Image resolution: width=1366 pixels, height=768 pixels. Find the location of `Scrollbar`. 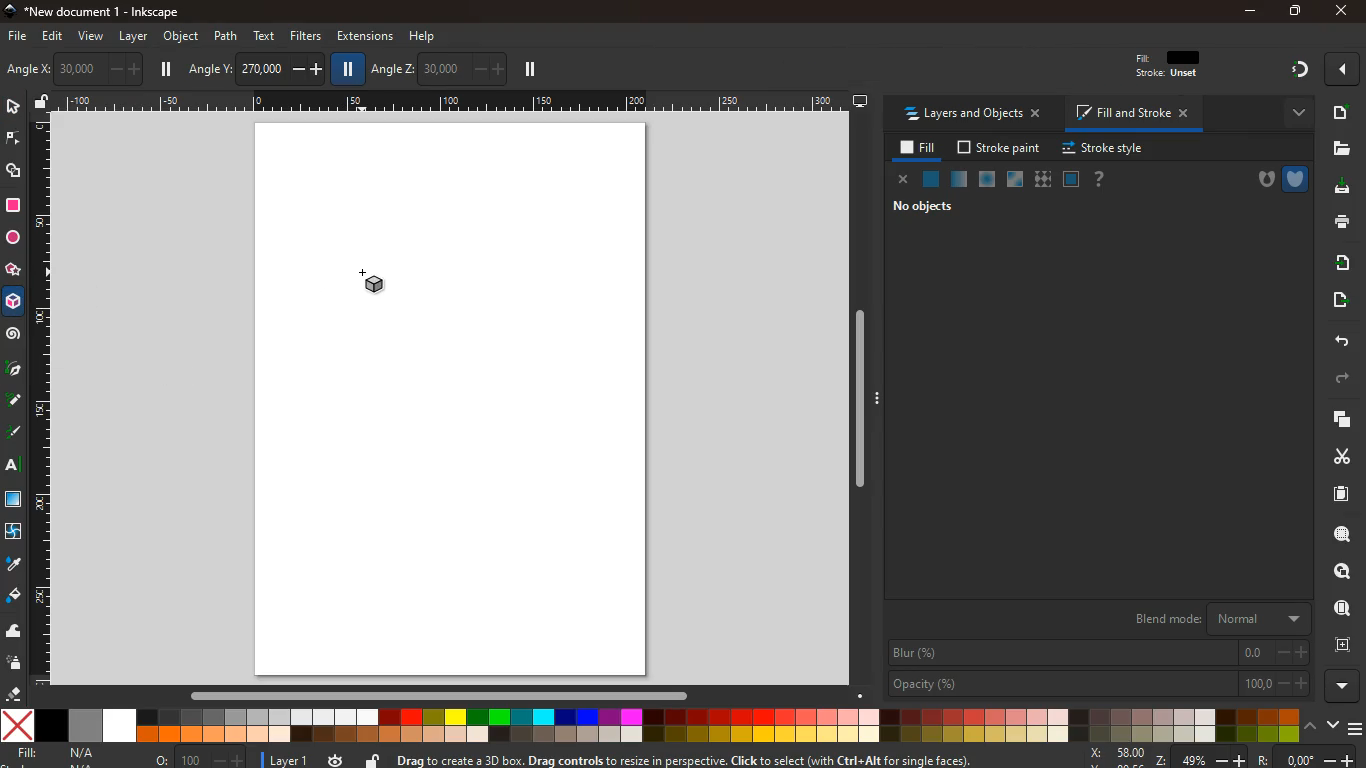

Scrollbar is located at coordinates (436, 693).